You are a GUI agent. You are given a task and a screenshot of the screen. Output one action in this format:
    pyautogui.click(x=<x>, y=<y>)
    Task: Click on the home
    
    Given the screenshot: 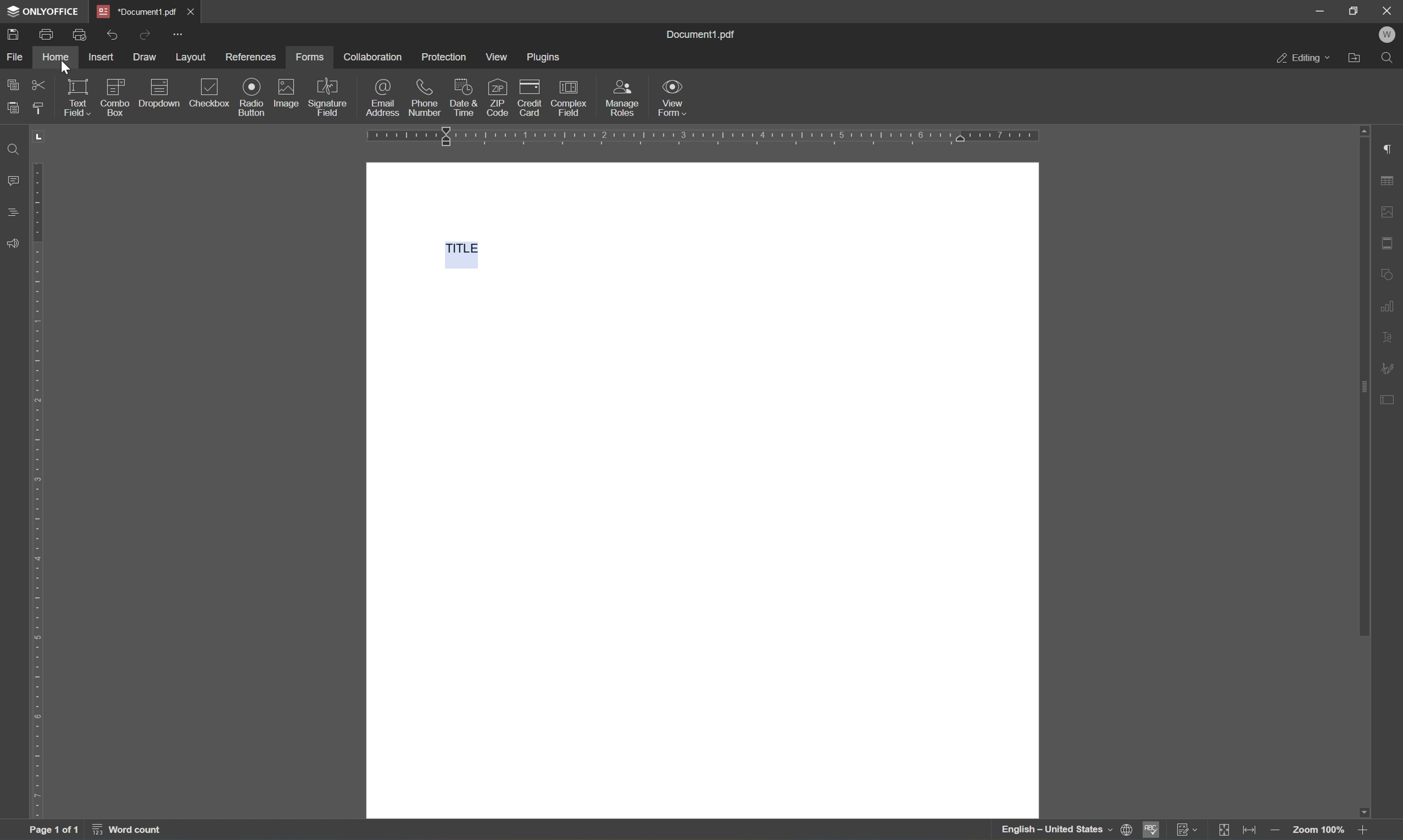 What is the action you would take?
    pyautogui.click(x=57, y=55)
    